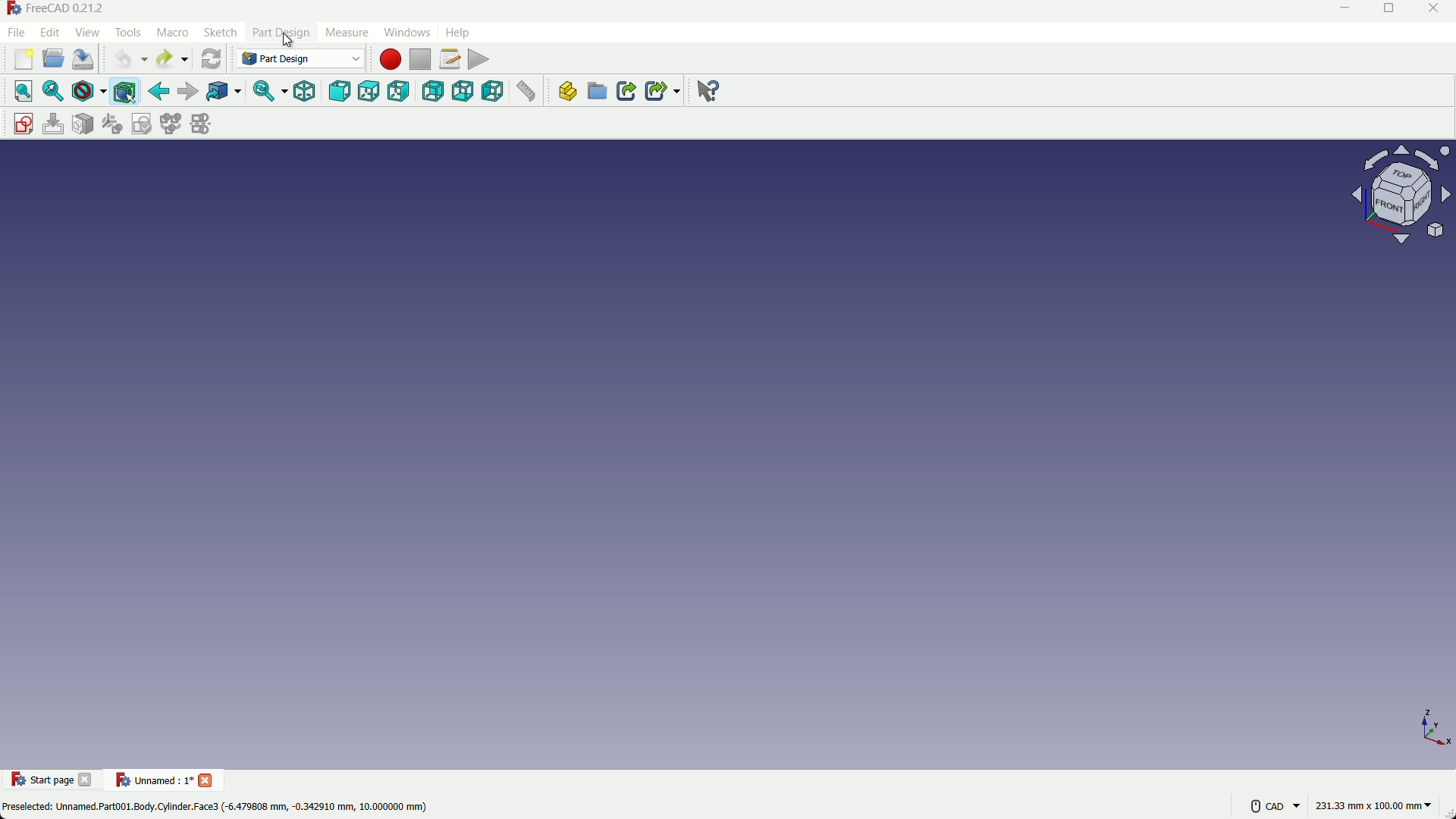  Describe the element at coordinates (282, 34) in the screenshot. I see `part design menu` at that location.